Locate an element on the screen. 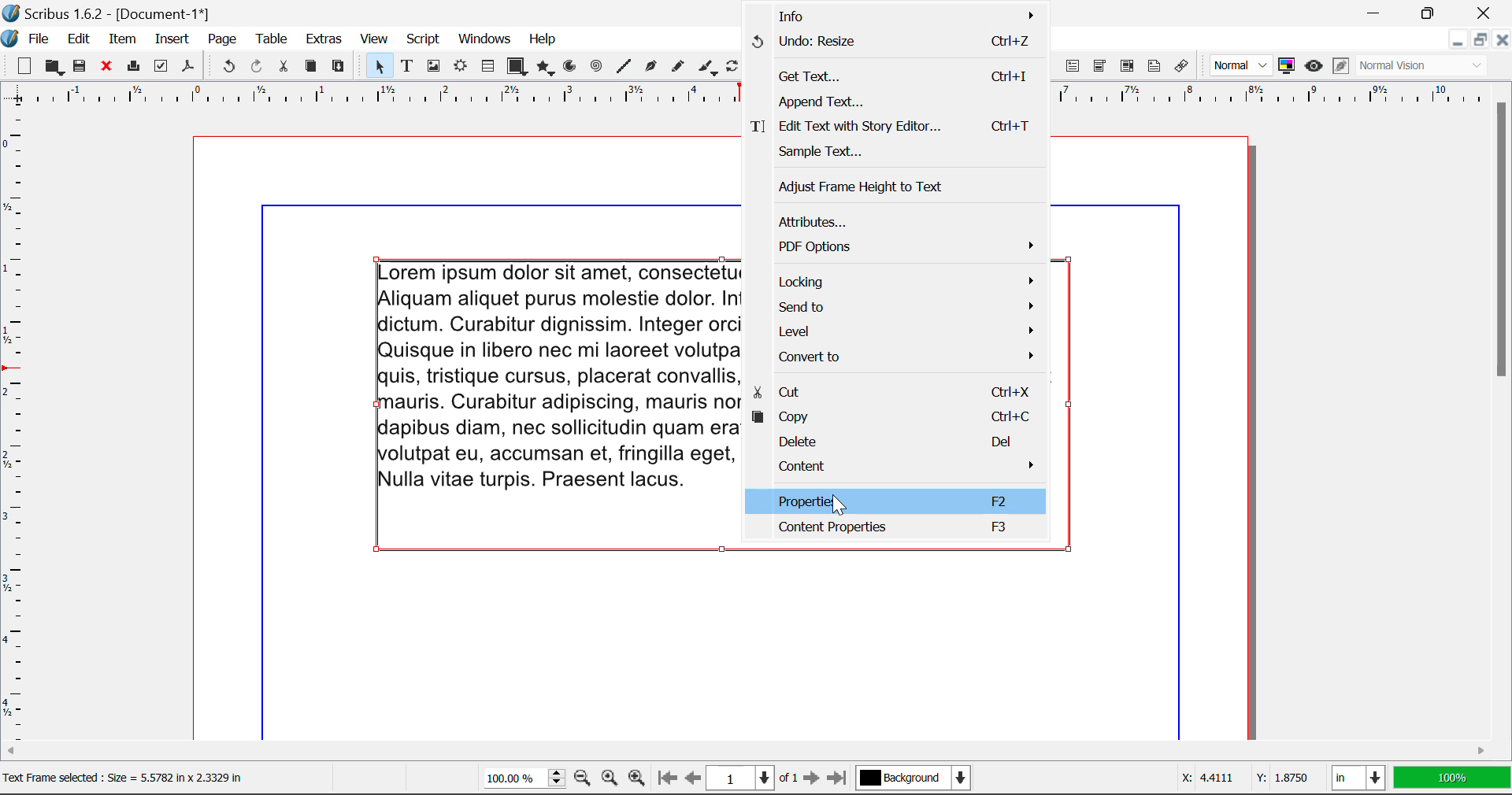  Append Text is located at coordinates (895, 102).